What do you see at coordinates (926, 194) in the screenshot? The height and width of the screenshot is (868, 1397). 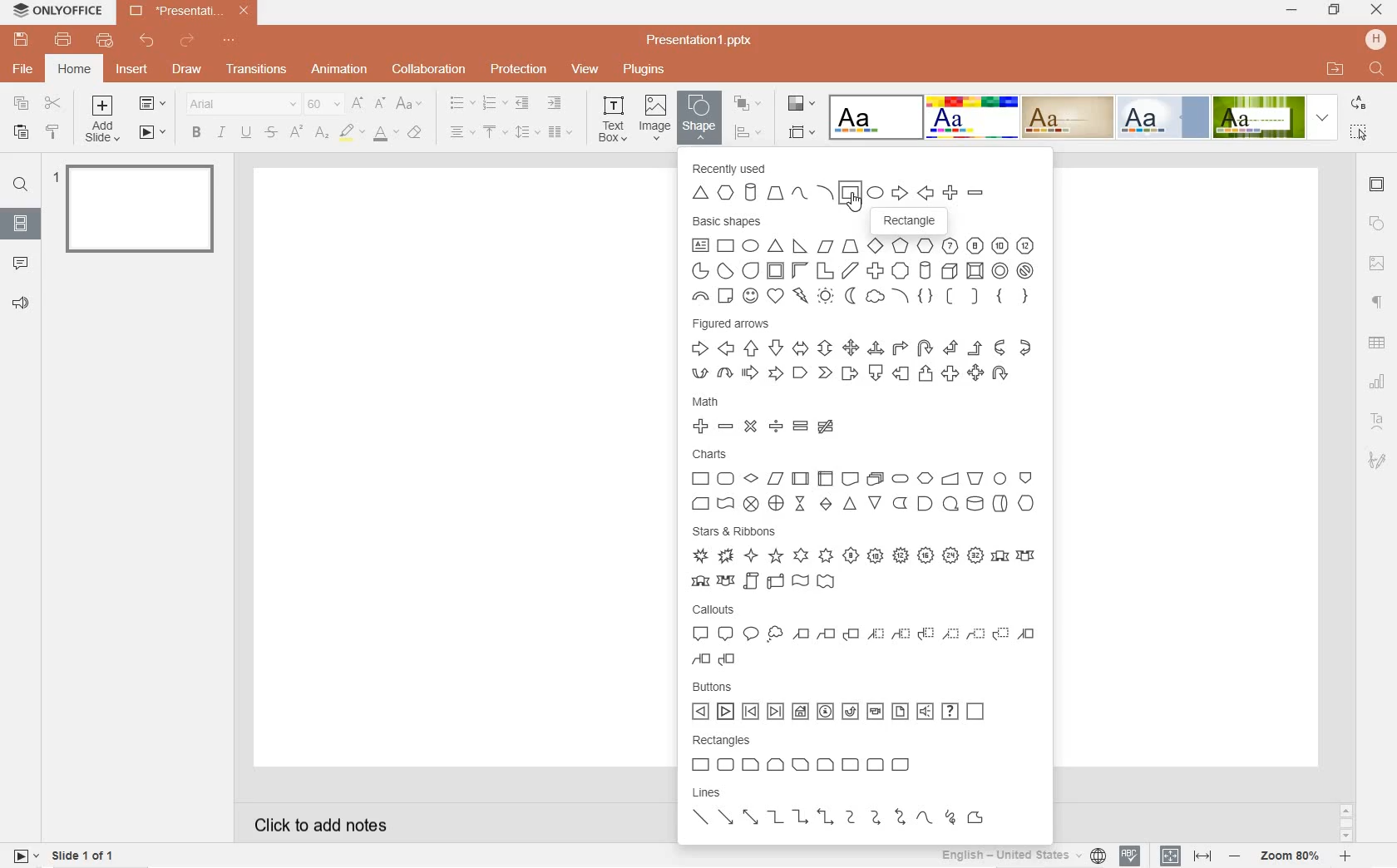 I see `Left Arrow` at bounding box center [926, 194].